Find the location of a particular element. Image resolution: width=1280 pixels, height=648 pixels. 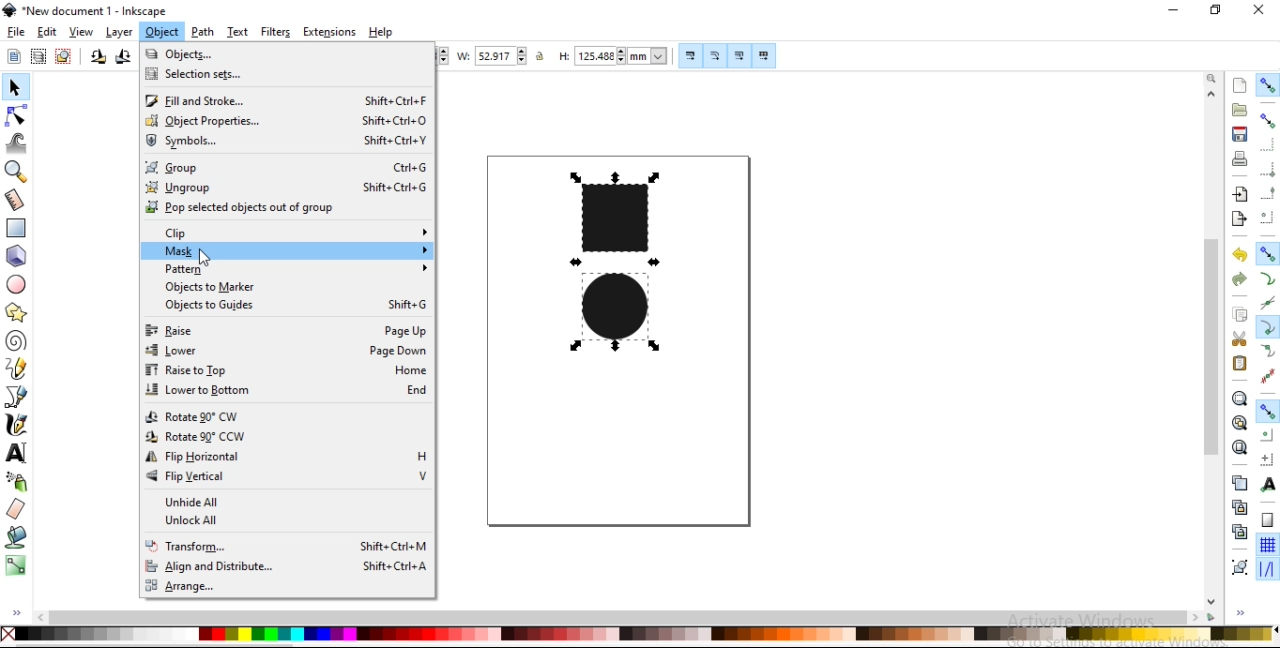

objects is located at coordinates (275, 54).